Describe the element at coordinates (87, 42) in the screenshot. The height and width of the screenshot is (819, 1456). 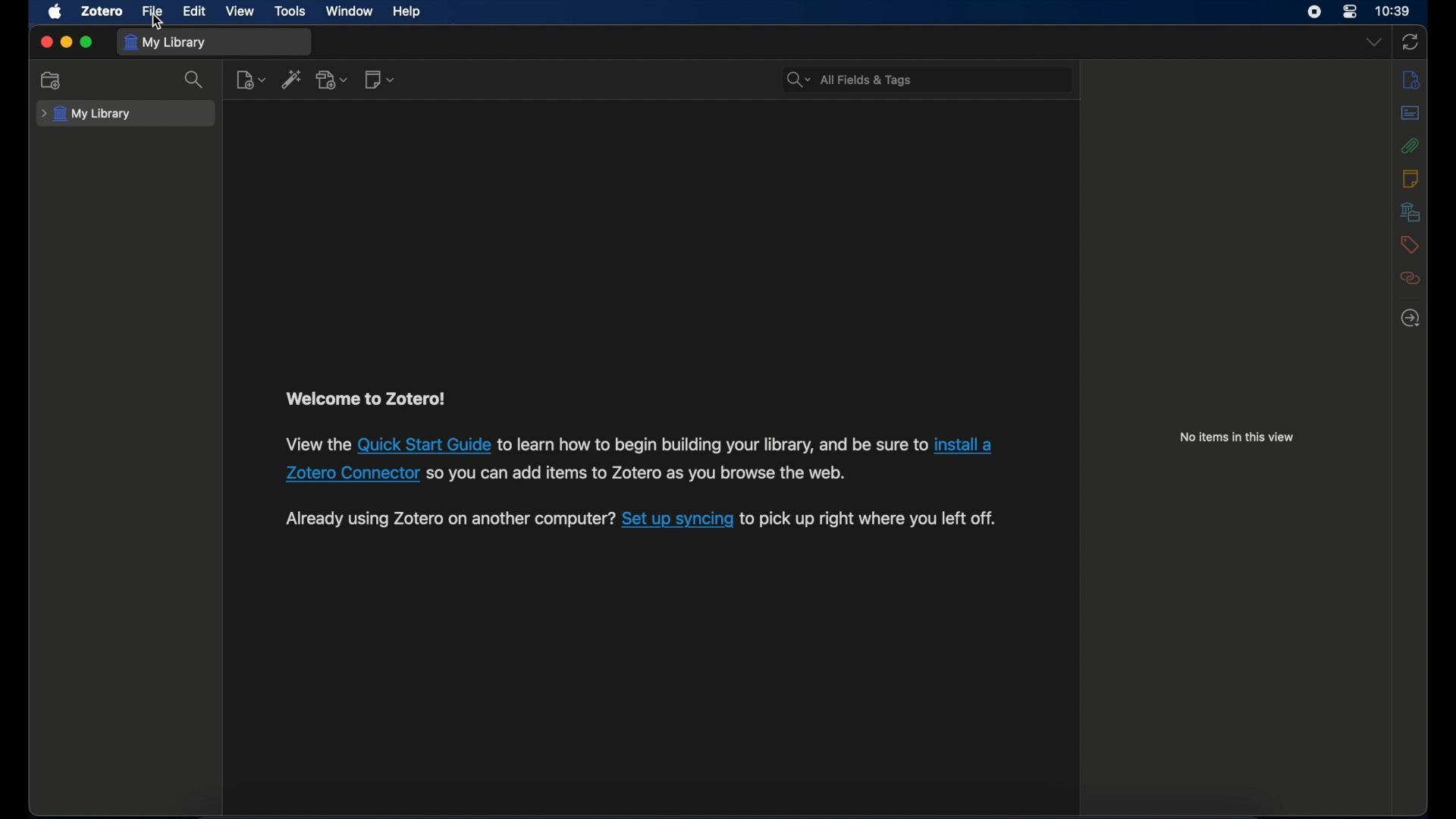
I see `maximize` at that location.